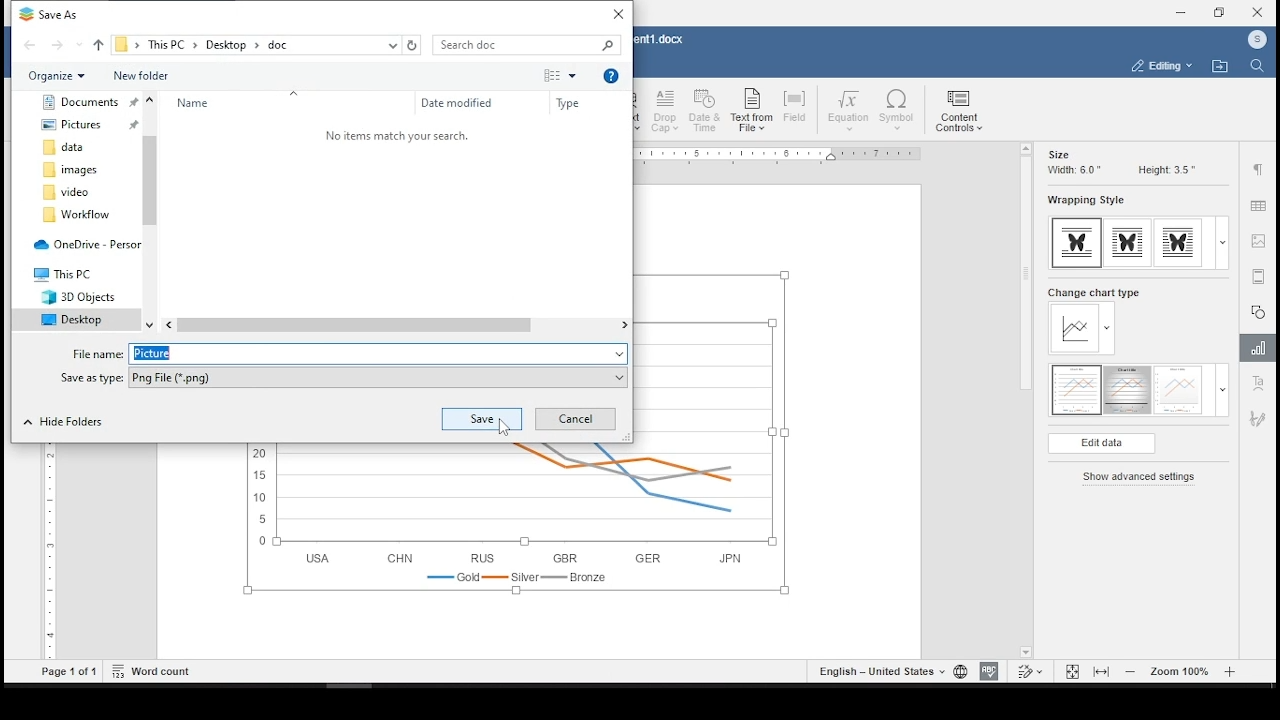 The width and height of the screenshot is (1280, 720). I want to click on up, so click(96, 44).